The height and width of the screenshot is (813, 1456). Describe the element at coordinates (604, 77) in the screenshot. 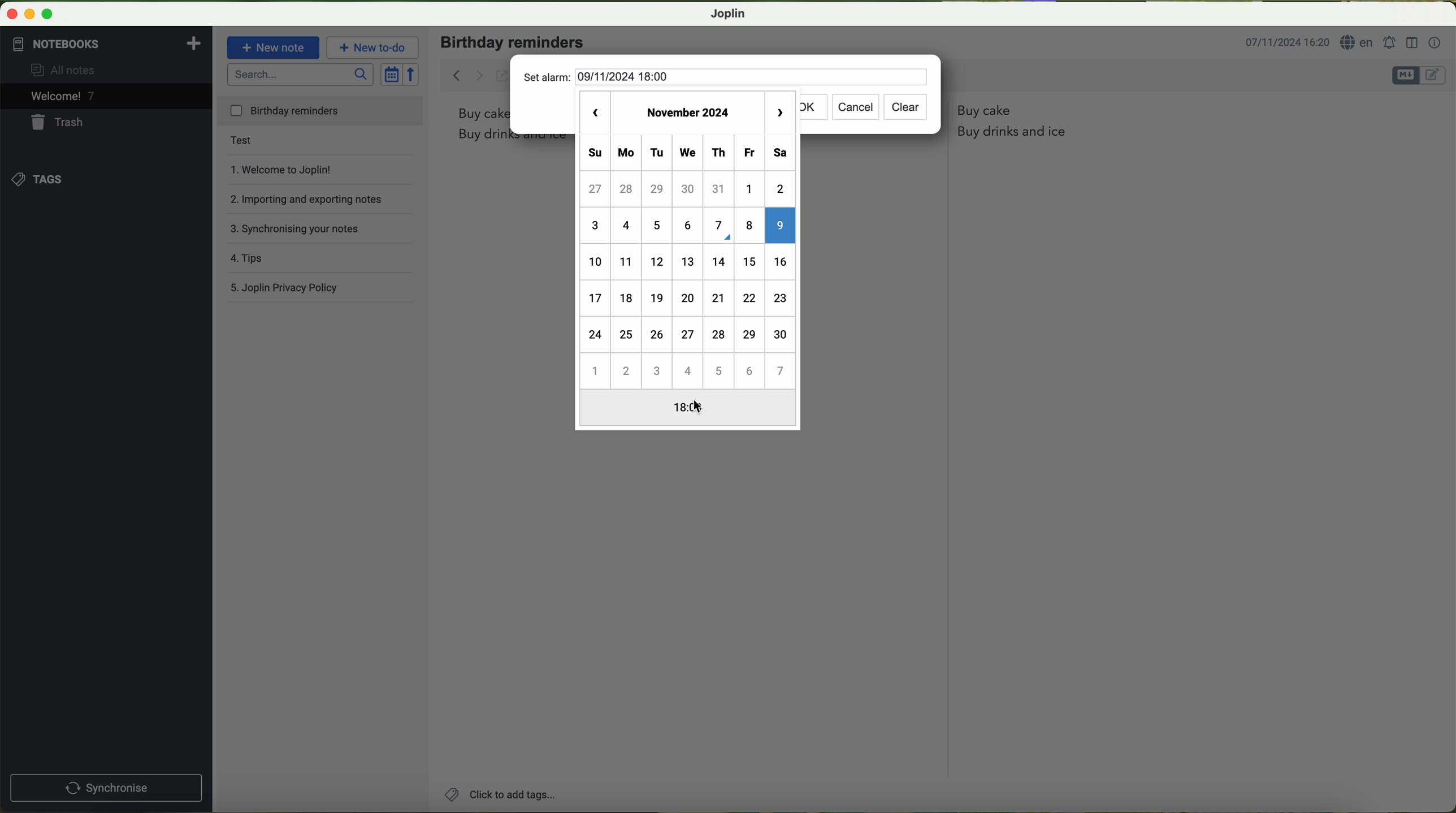

I see `set alarm 09/11/2024 18:00` at that location.